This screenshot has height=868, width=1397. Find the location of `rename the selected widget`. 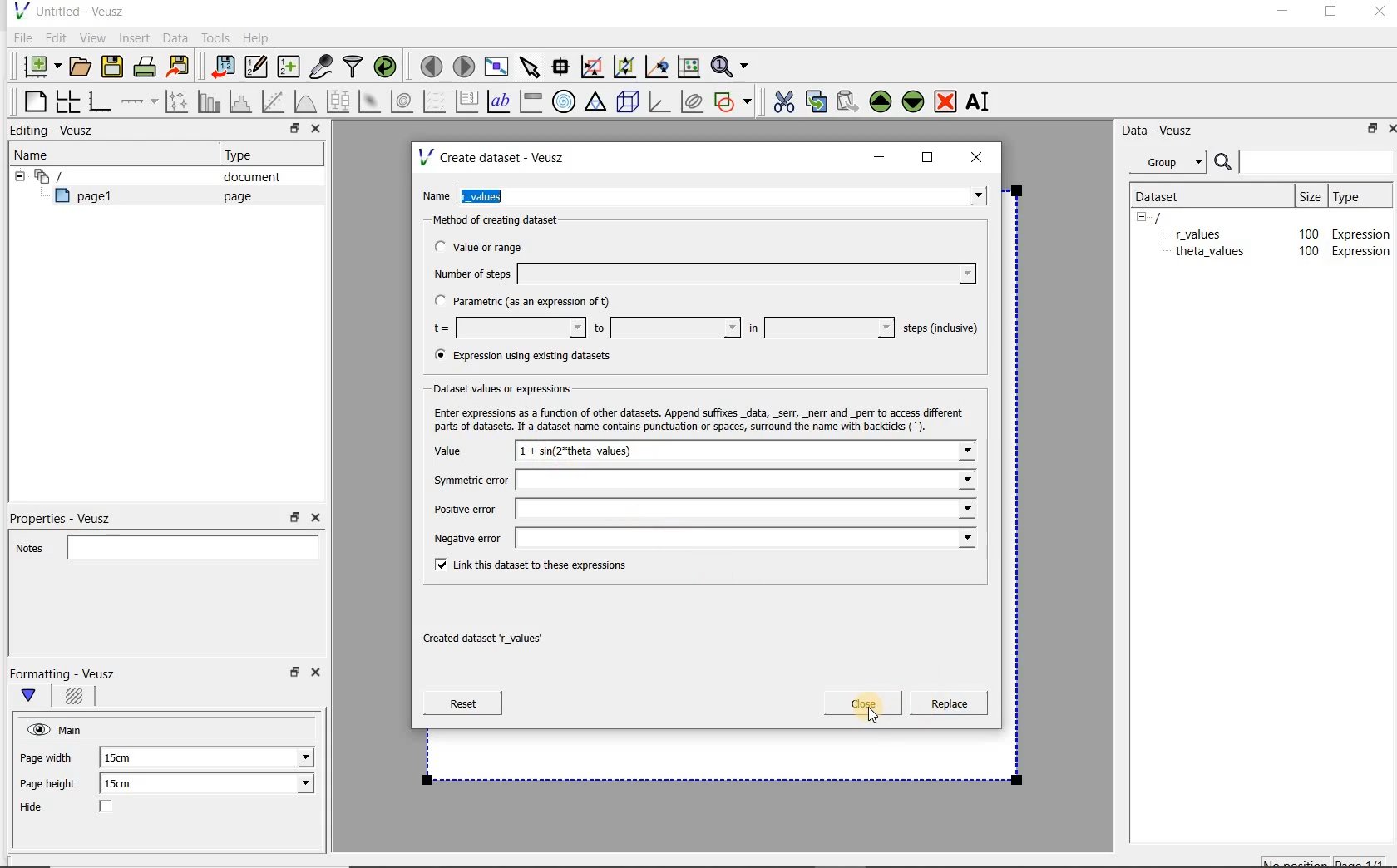

rename the selected widget is located at coordinates (981, 101).